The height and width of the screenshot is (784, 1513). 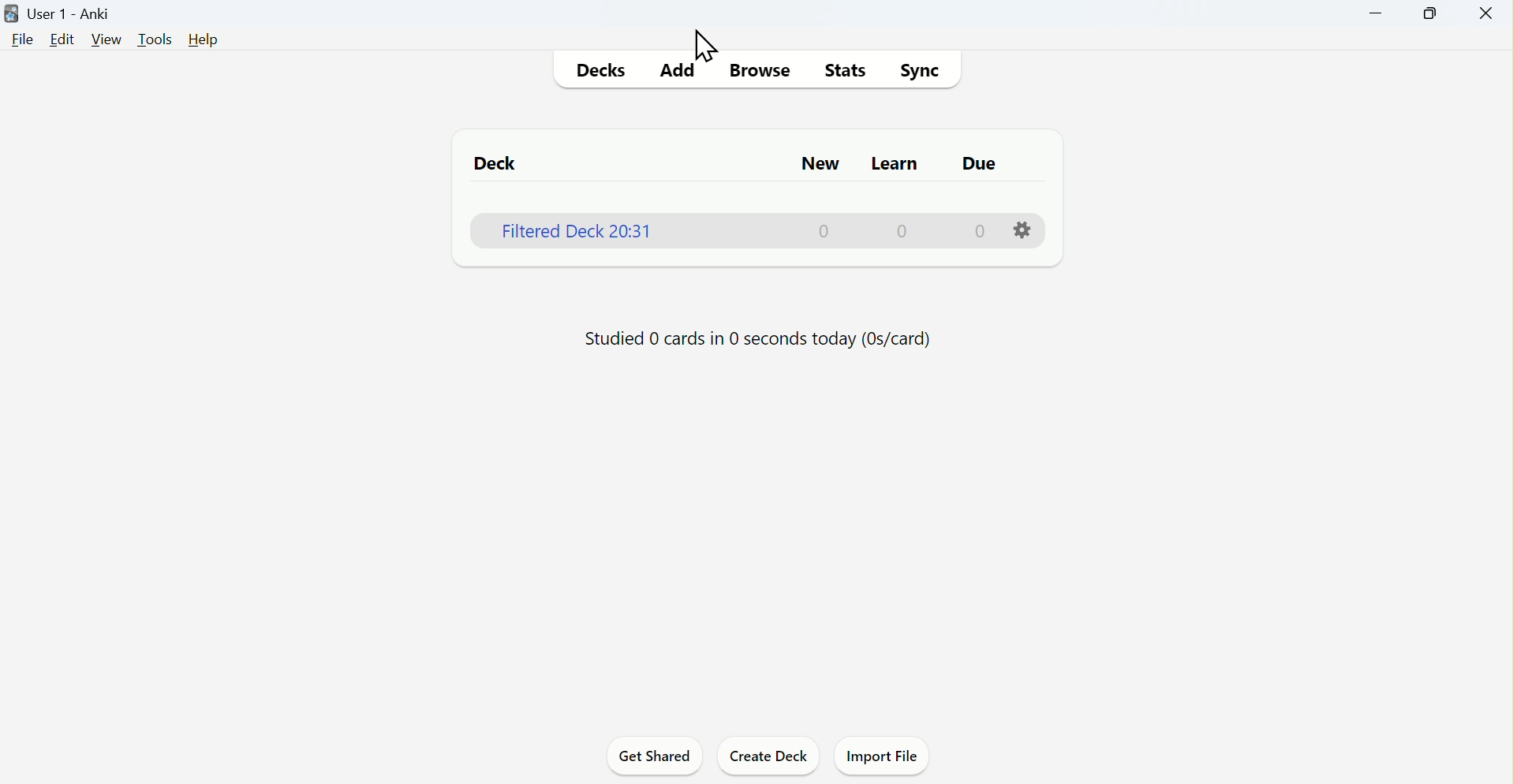 What do you see at coordinates (977, 171) in the screenshot?
I see `due` at bounding box center [977, 171].